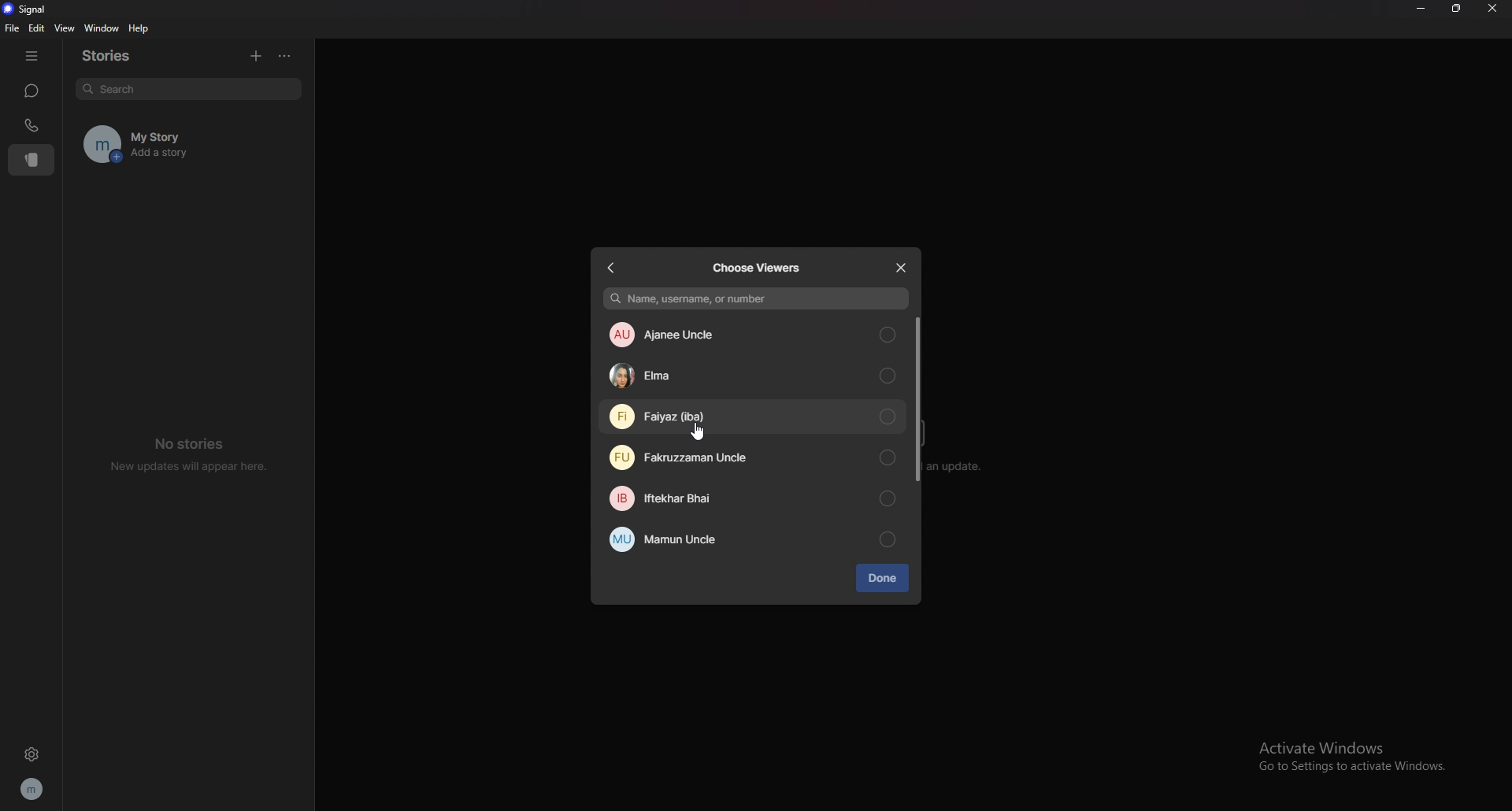 The width and height of the screenshot is (1512, 811). I want to click on search, so click(191, 87).